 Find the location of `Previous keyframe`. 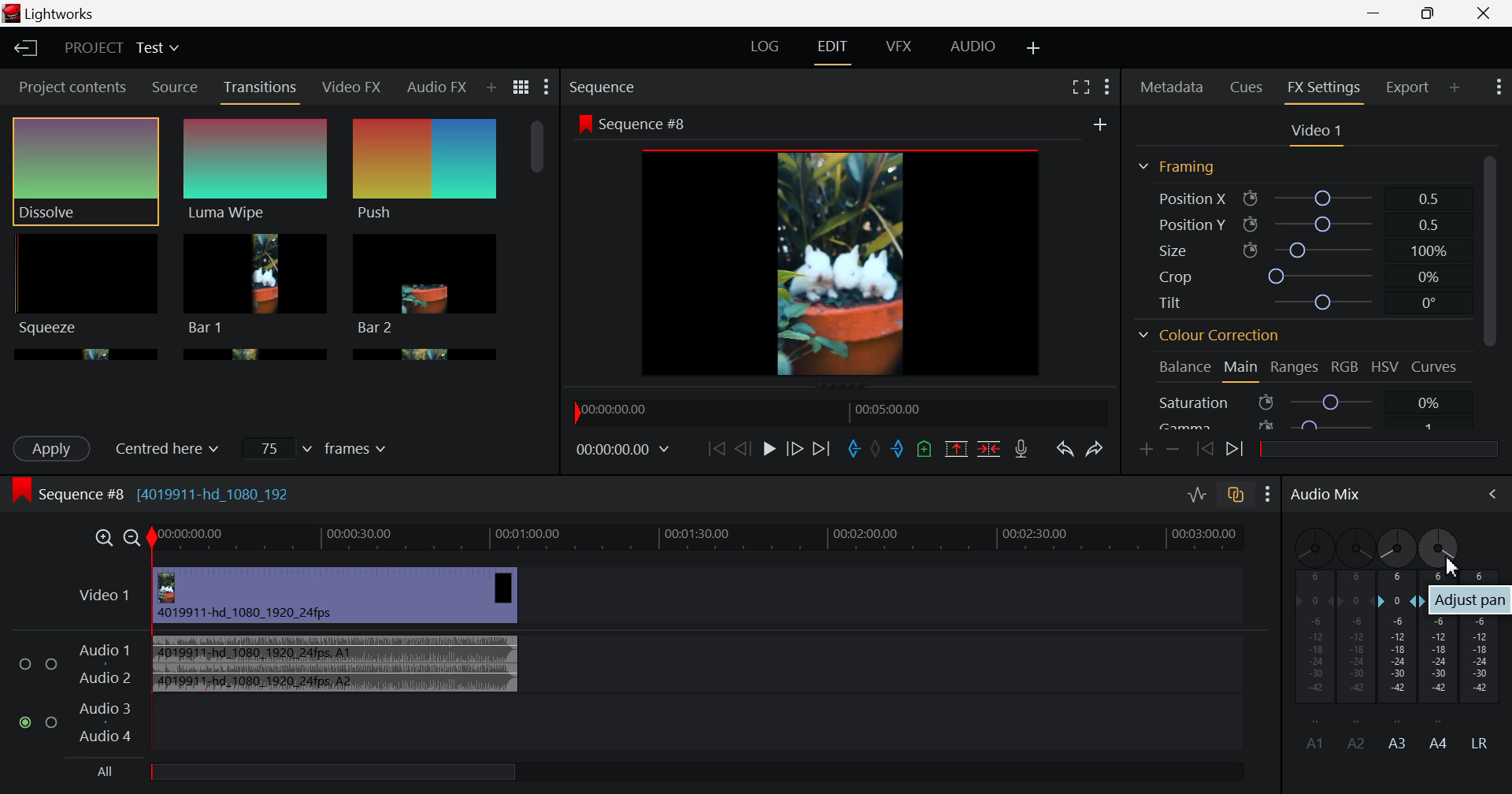

Previous keyframe is located at coordinates (1202, 447).